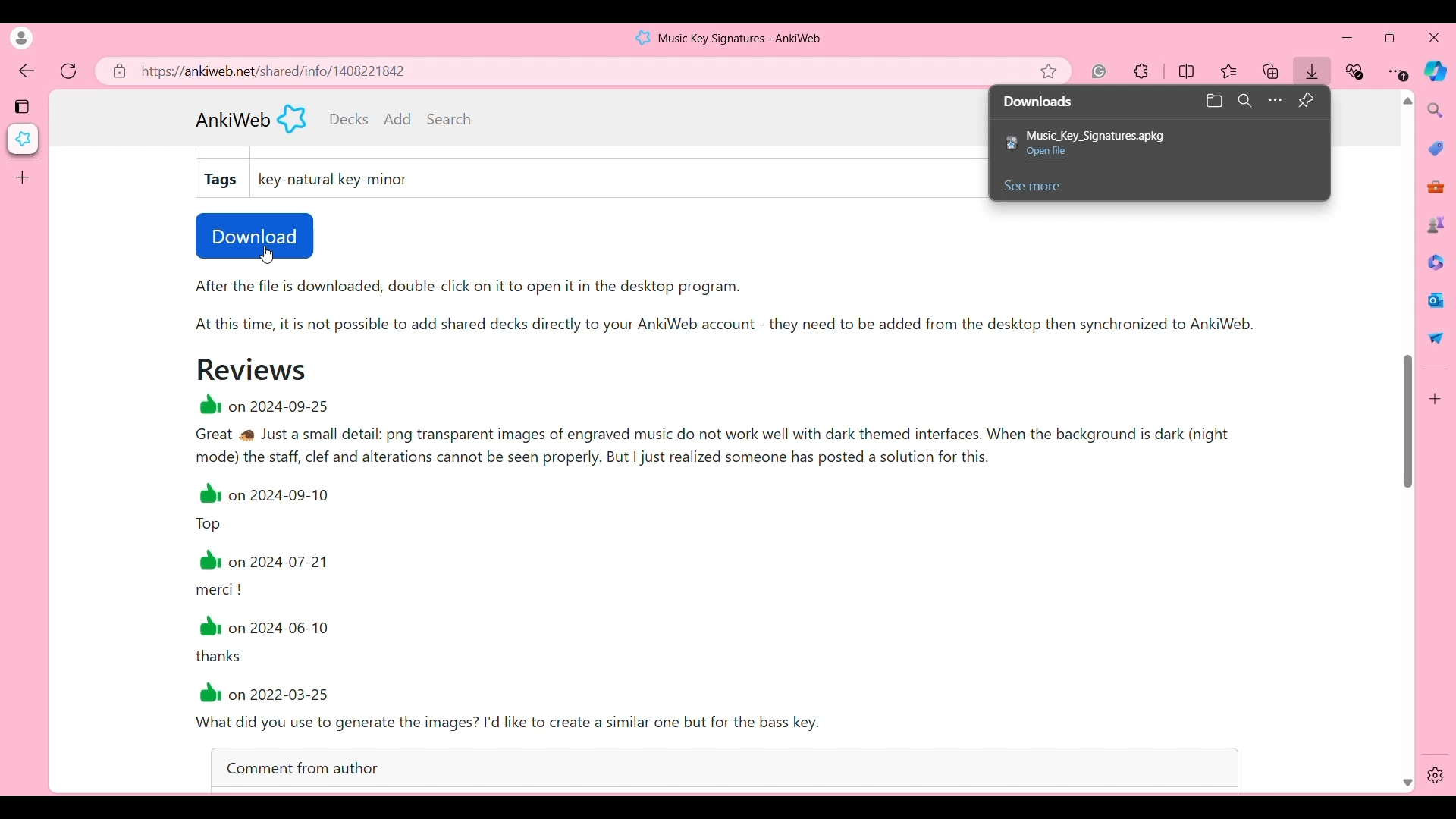 This screenshot has width=1456, height=819. Describe the element at coordinates (24, 139) in the screenshot. I see `Current tab` at that location.